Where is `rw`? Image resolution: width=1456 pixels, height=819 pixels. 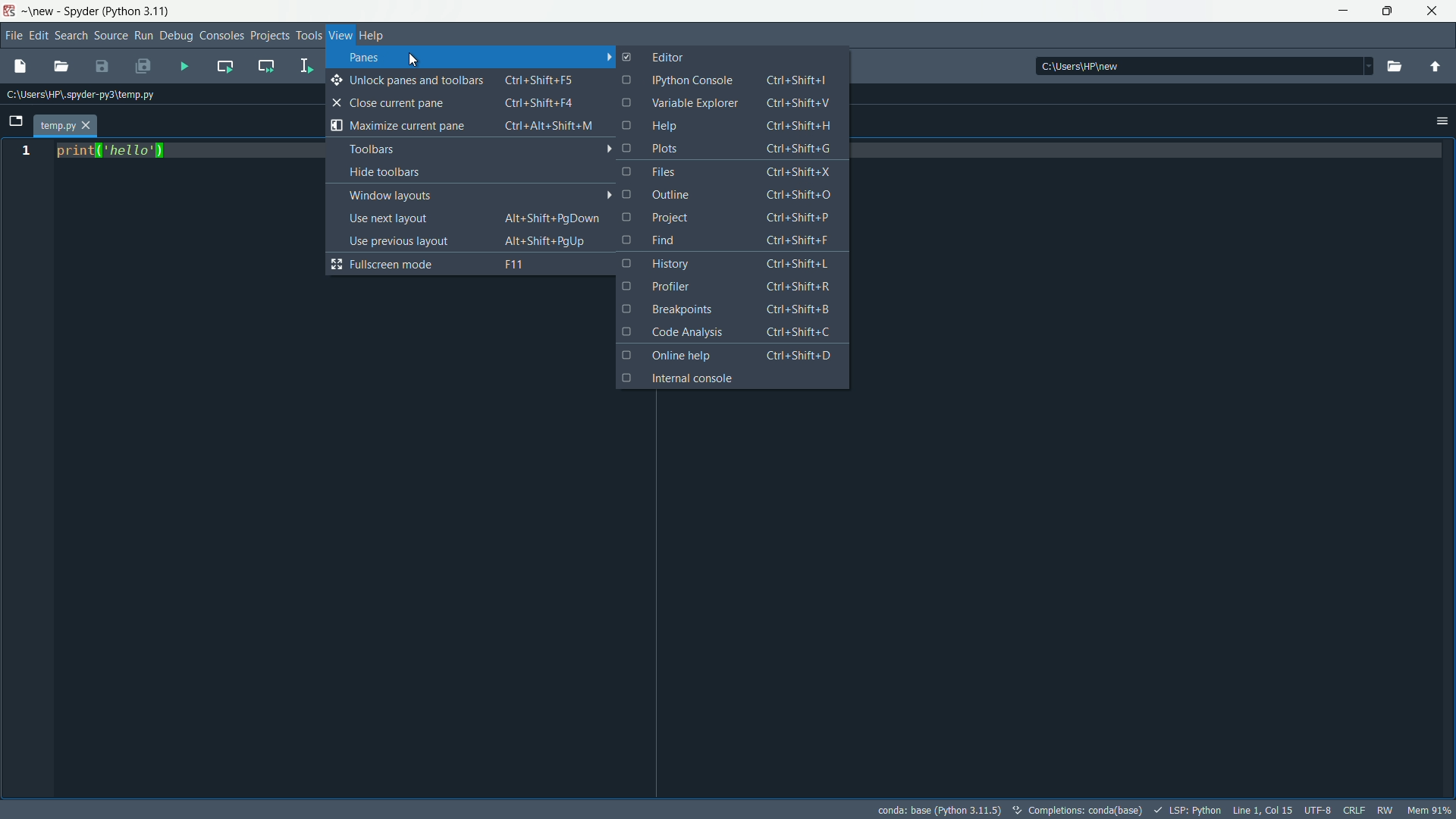 rw is located at coordinates (1385, 810).